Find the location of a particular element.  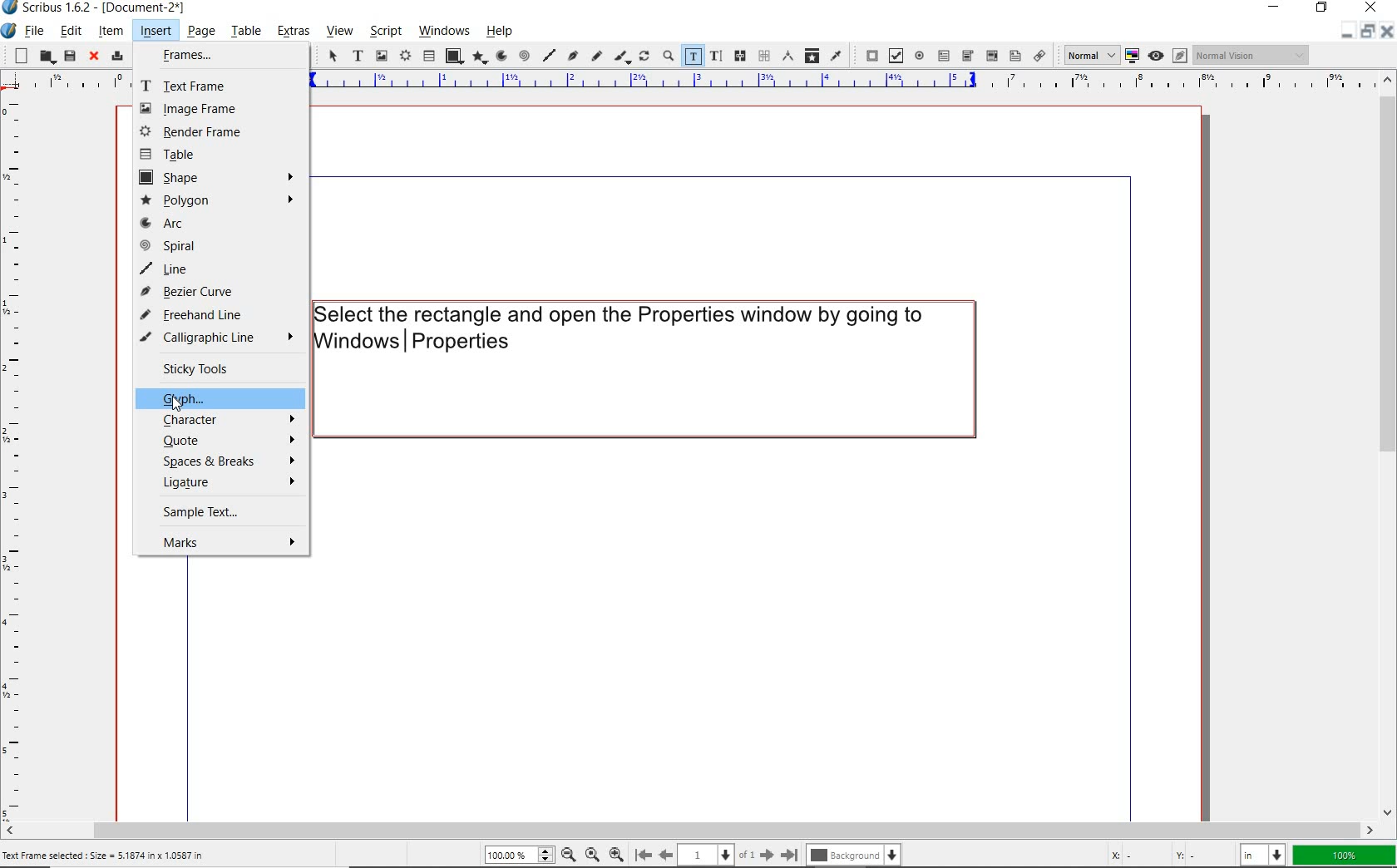

close is located at coordinates (1389, 31).